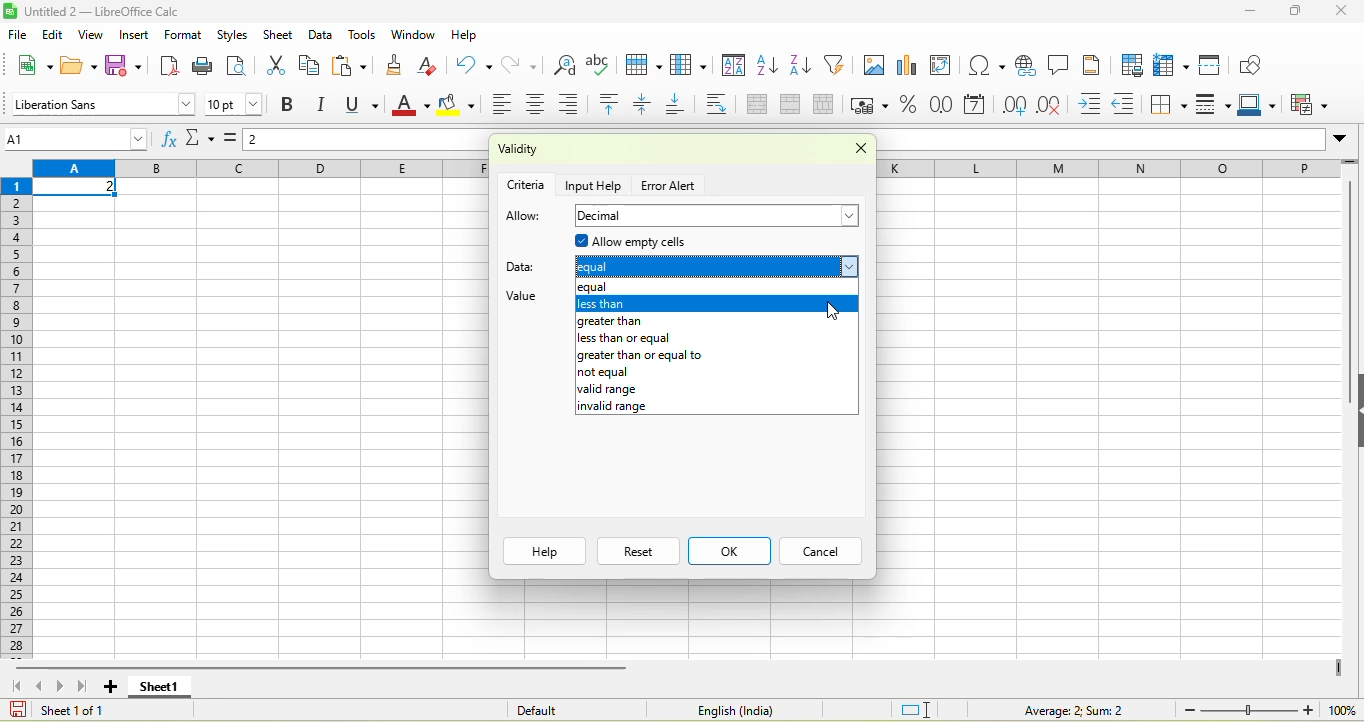 The width and height of the screenshot is (1364, 722). Describe the element at coordinates (1253, 64) in the screenshot. I see `show draw function` at that location.